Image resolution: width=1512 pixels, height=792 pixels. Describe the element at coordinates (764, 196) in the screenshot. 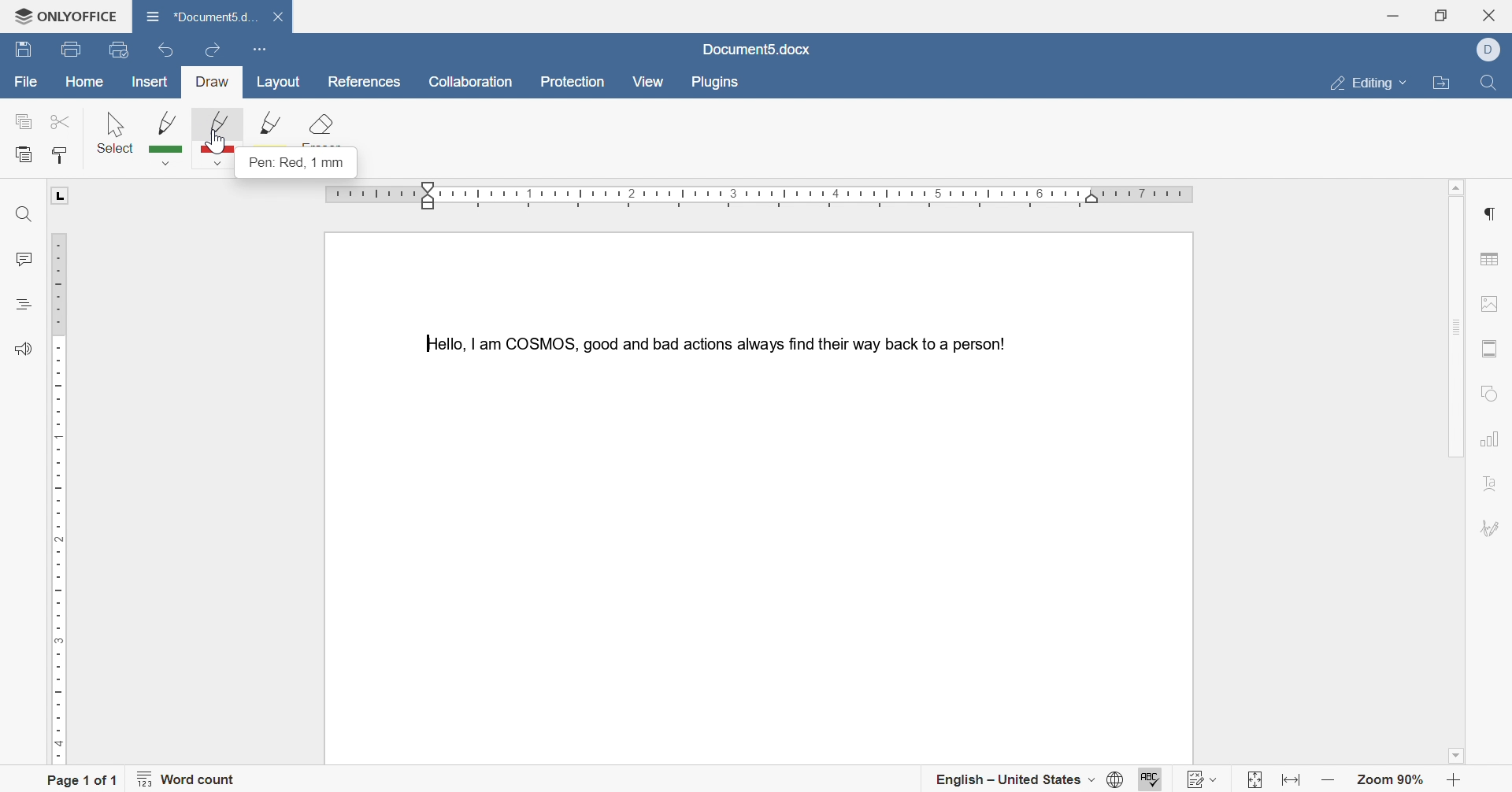

I see `ruler` at that location.